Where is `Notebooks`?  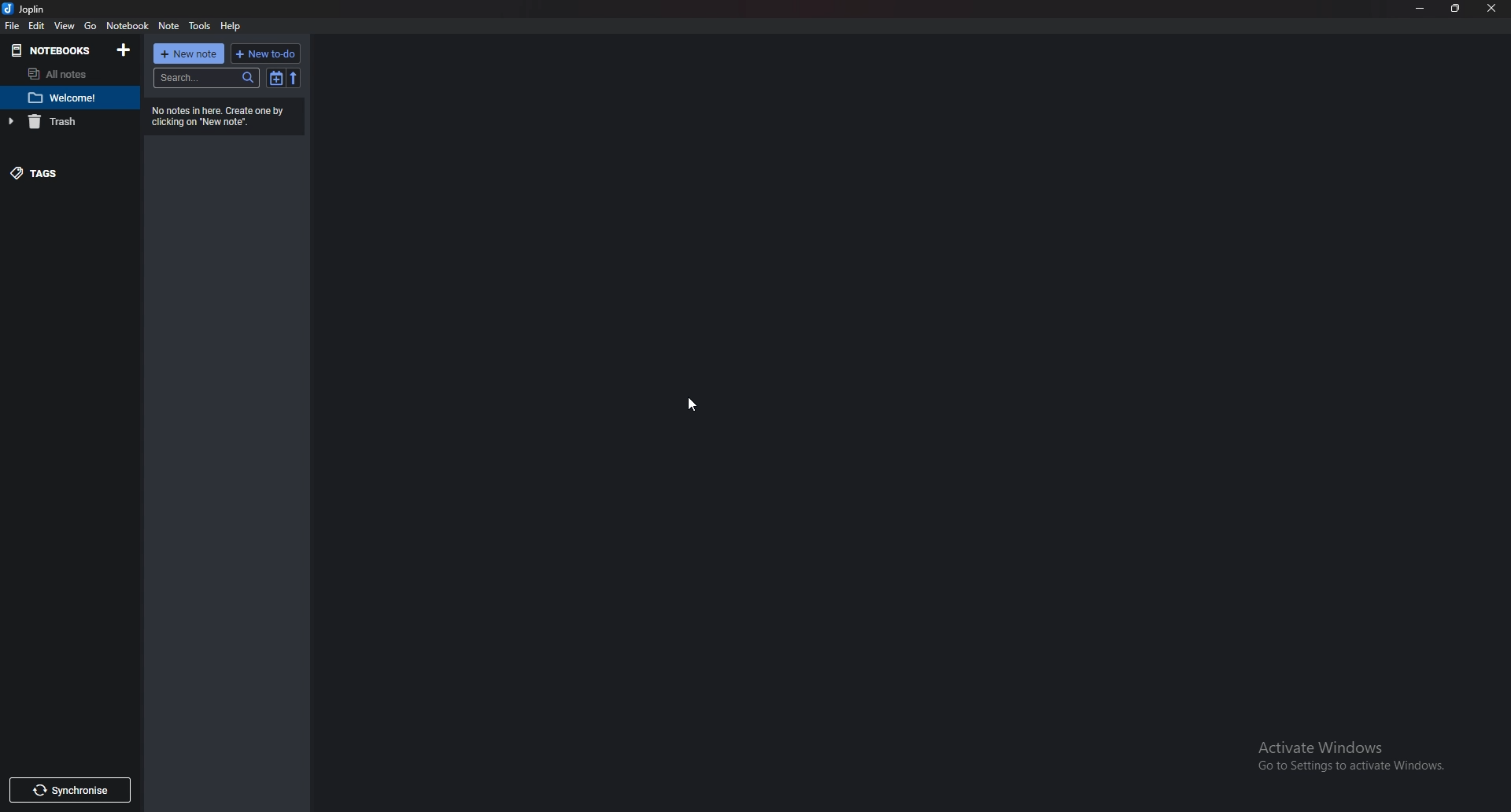 Notebooks is located at coordinates (54, 48).